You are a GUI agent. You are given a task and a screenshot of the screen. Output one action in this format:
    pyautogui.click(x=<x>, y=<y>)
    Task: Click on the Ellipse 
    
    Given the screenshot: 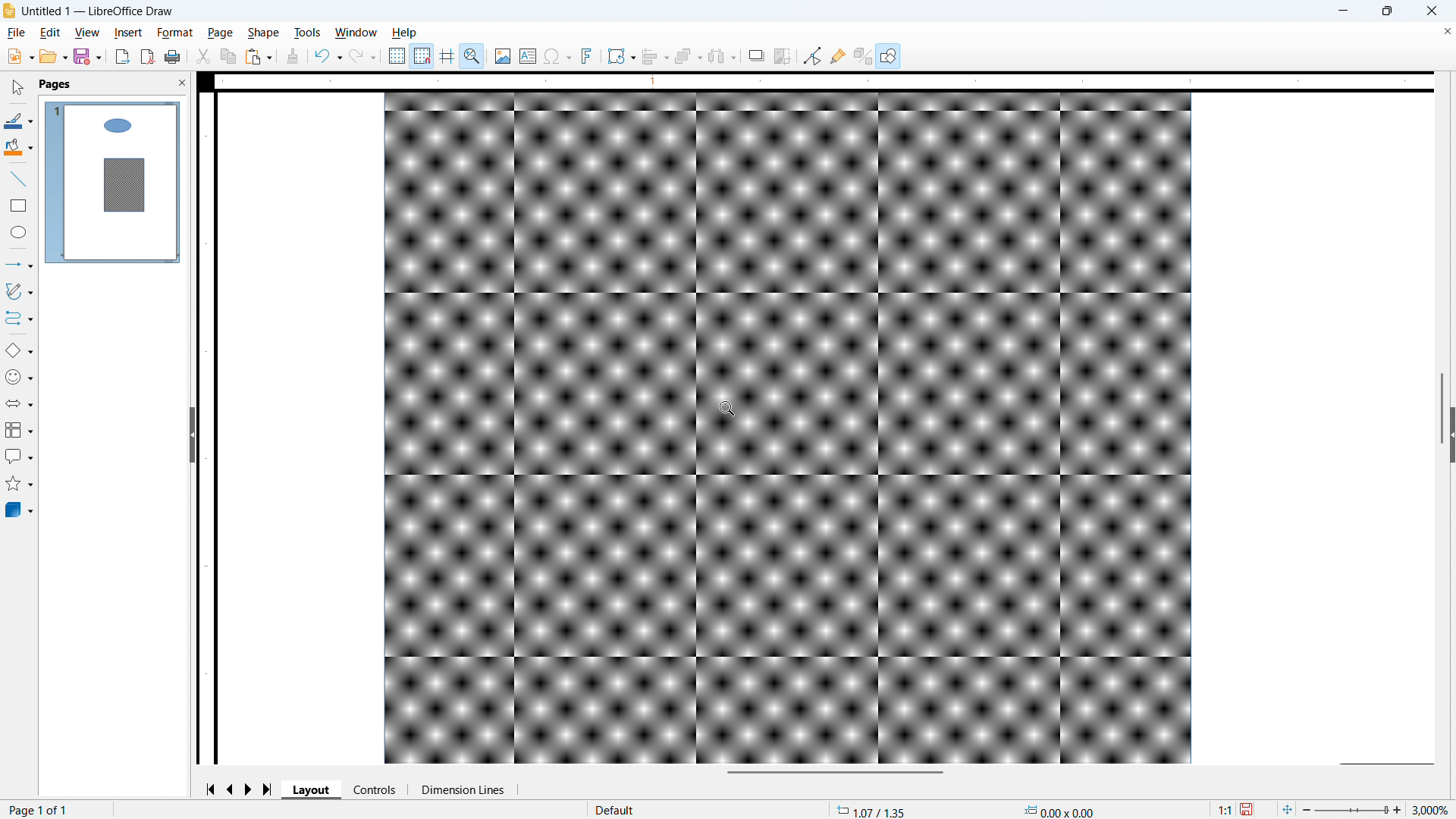 What is the action you would take?
    pyautogui.click(x=17, y=232)
    